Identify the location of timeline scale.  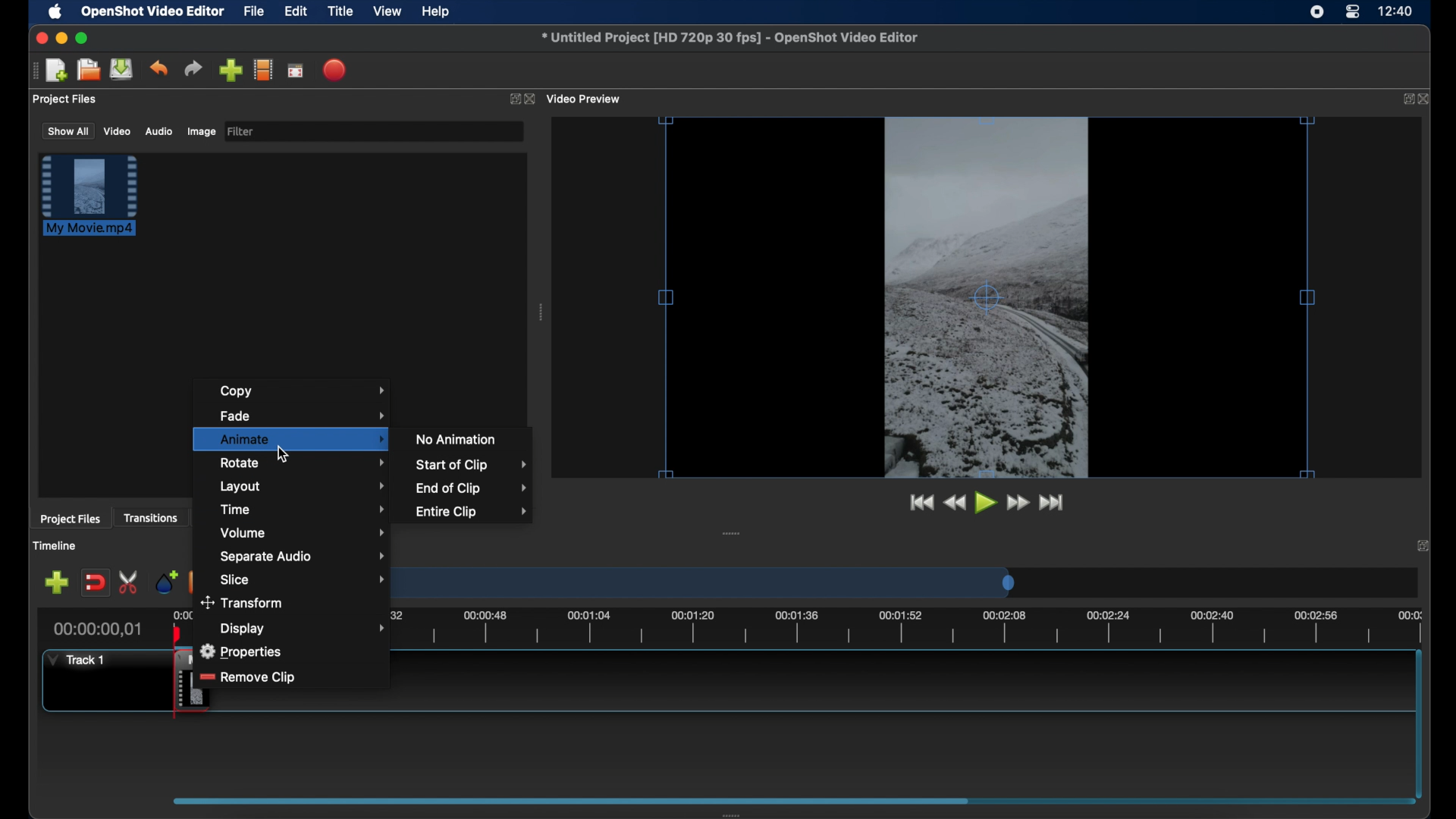
(863, 631).